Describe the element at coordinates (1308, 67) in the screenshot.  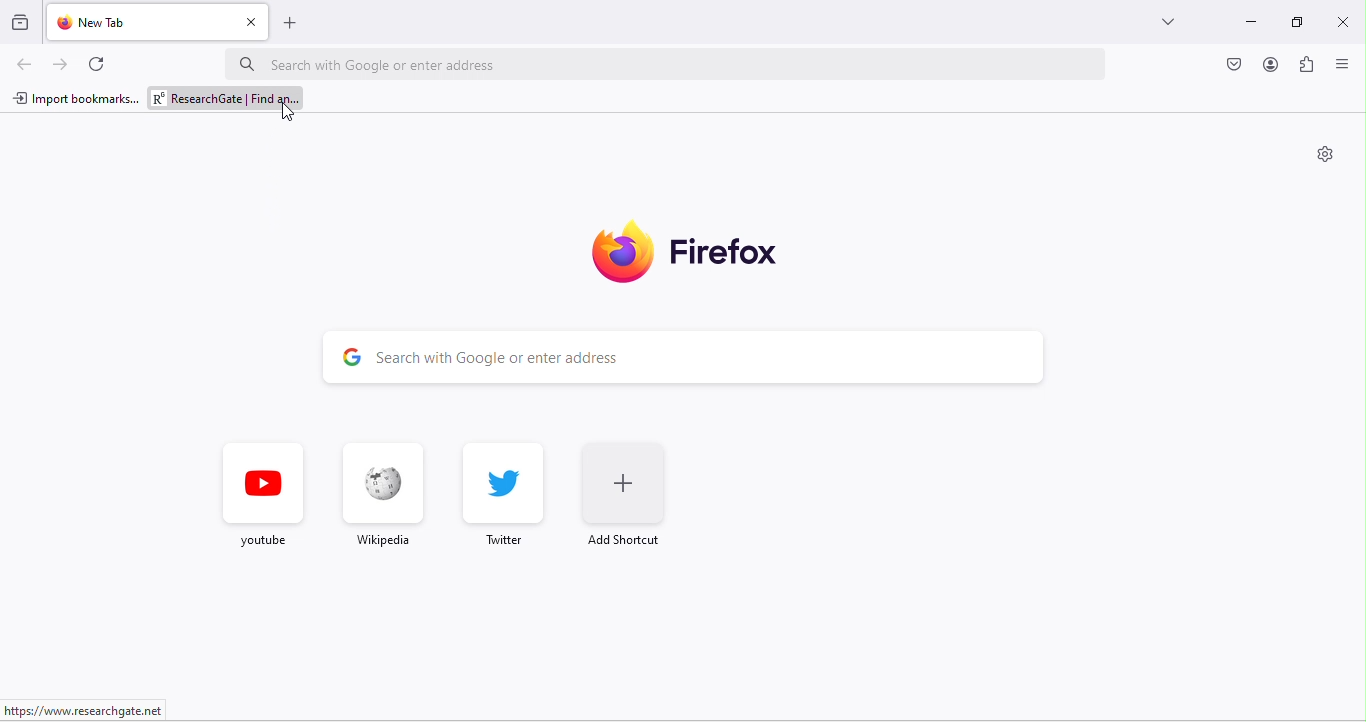
I see `extension` at that location.